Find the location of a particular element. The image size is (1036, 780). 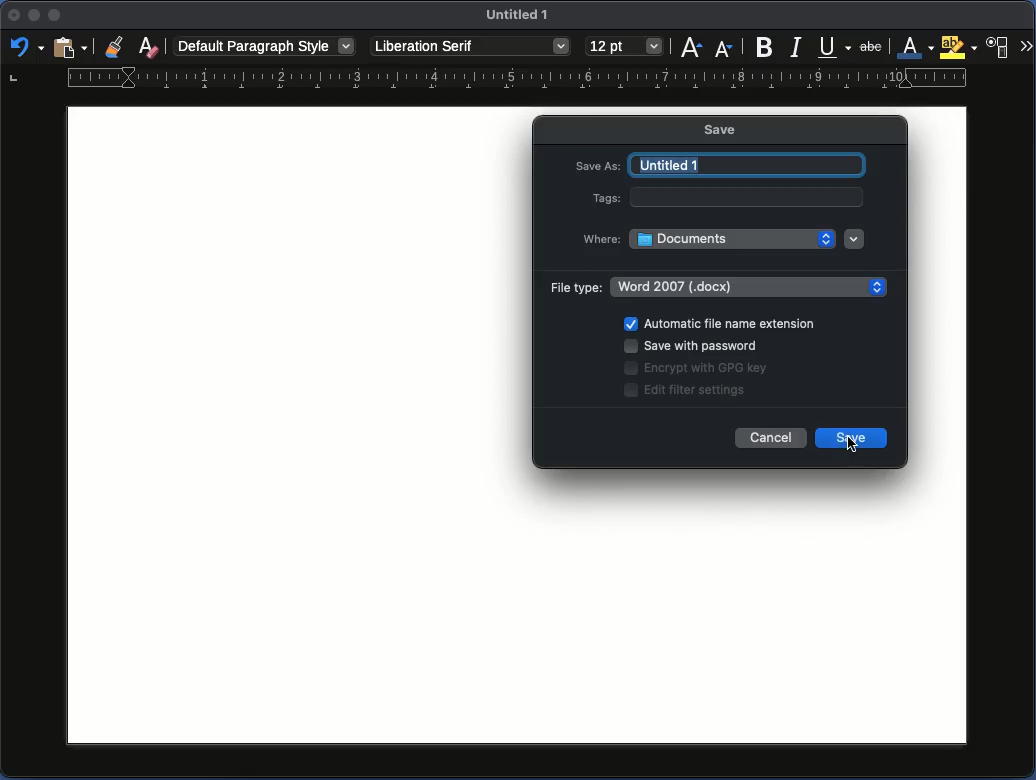

Save as is located at coordinates (598, 163).